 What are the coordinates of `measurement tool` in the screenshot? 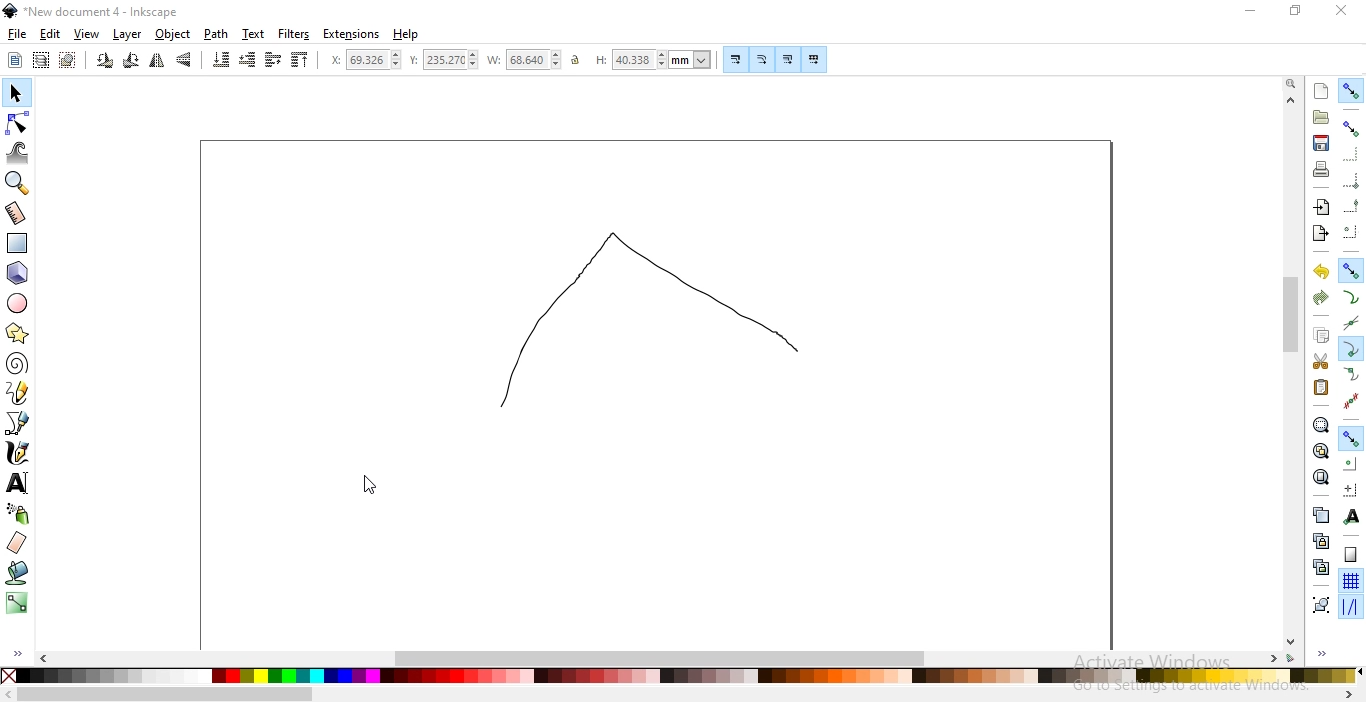 It's located at (16, 215).